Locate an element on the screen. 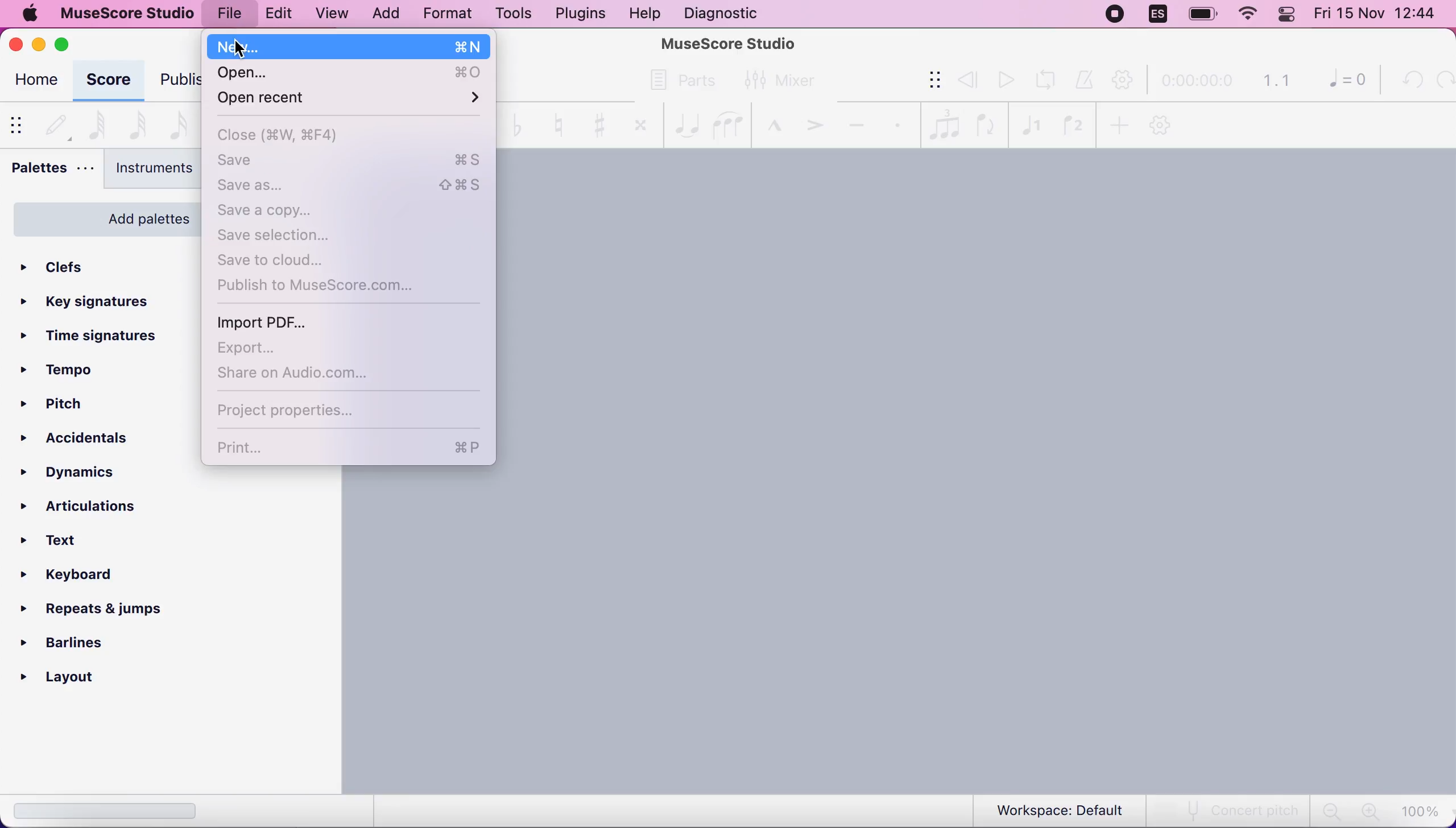 The height and width of the screenshot is (828, 1456). format is located at coordinates (443, 15).